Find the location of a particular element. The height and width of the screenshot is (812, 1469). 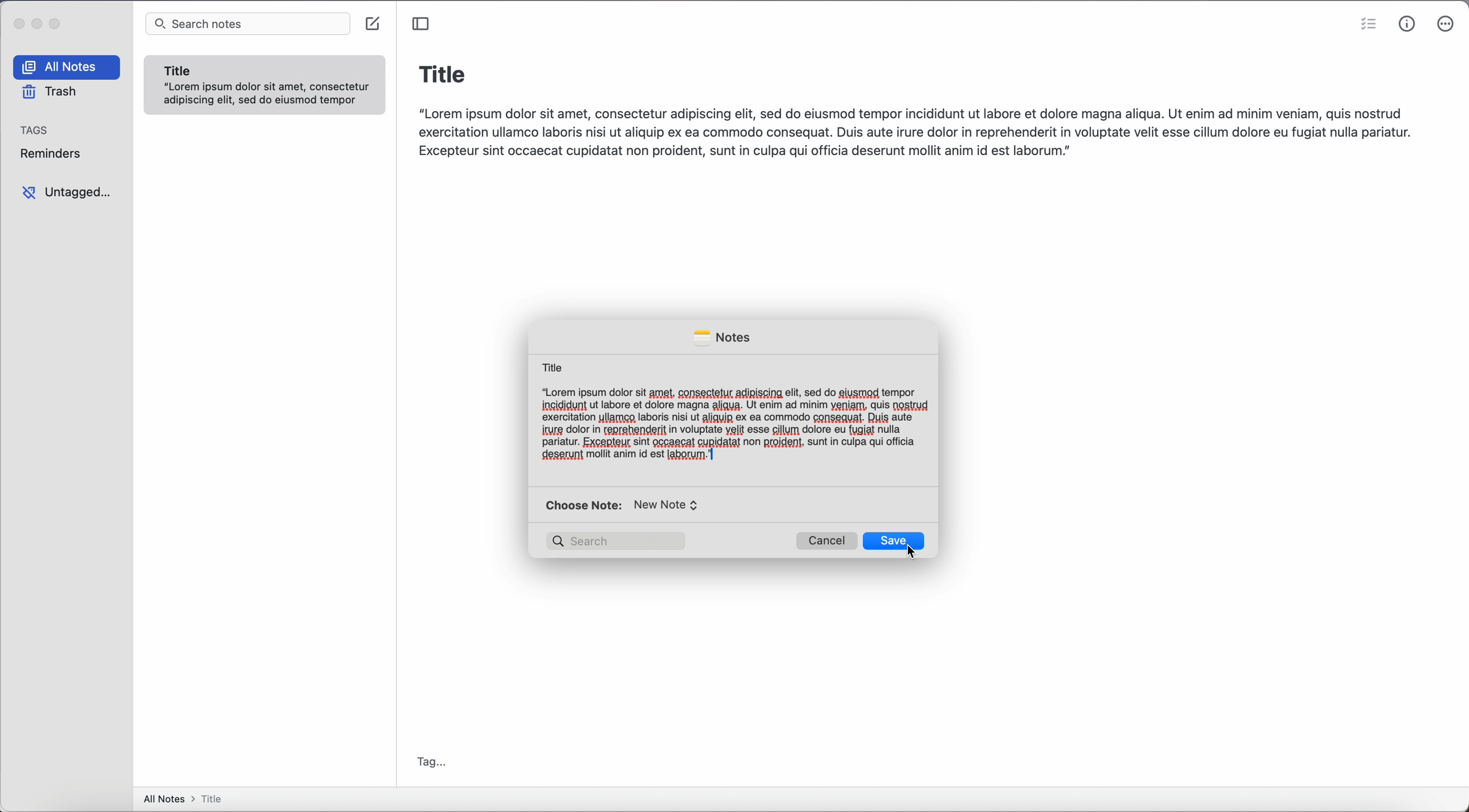

note is located at coordinates (265, 86).